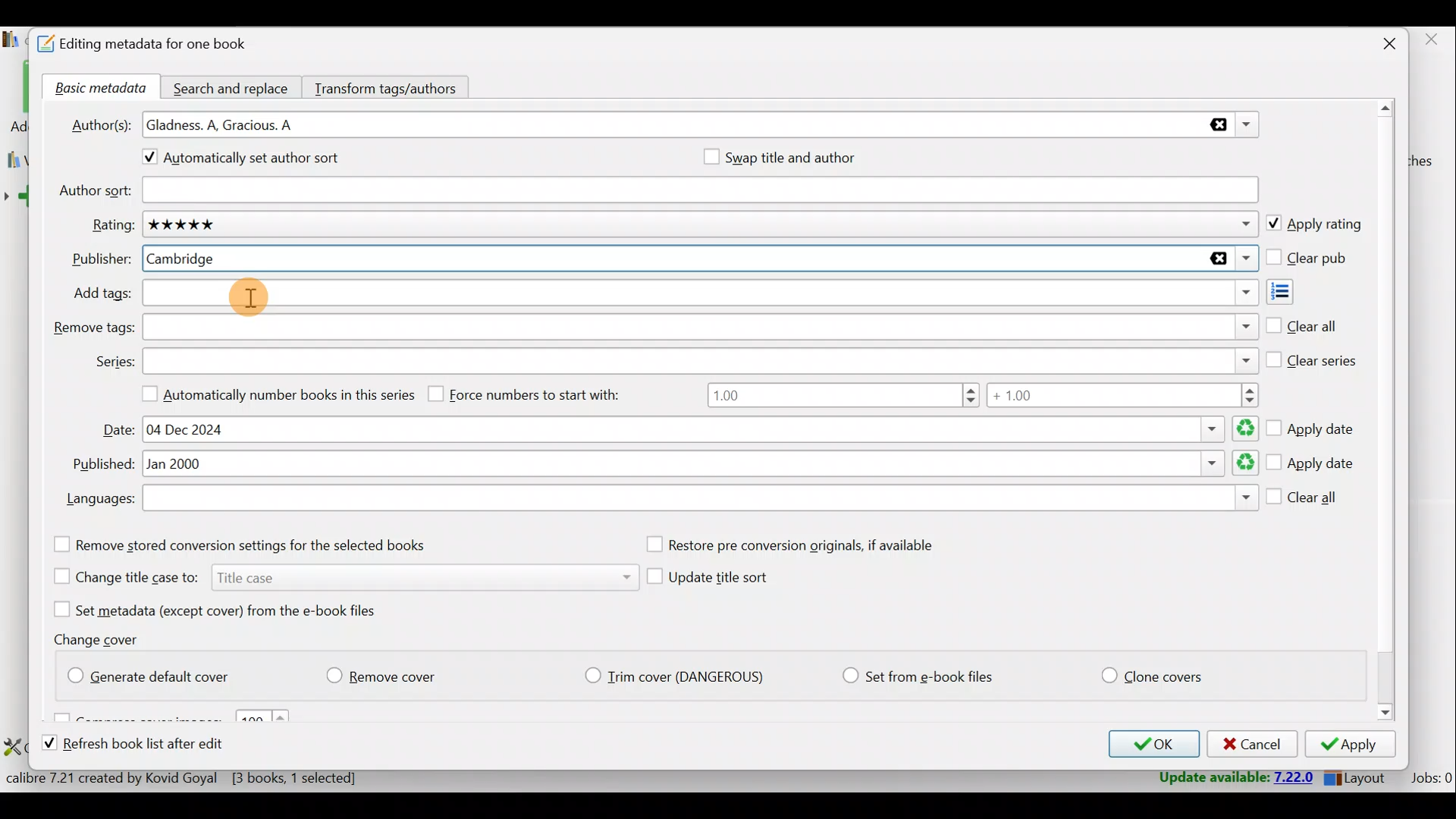 Image resolution: width=1456 pixels, height=819 pixels. I want to click on Author sort, so click(699, 191).